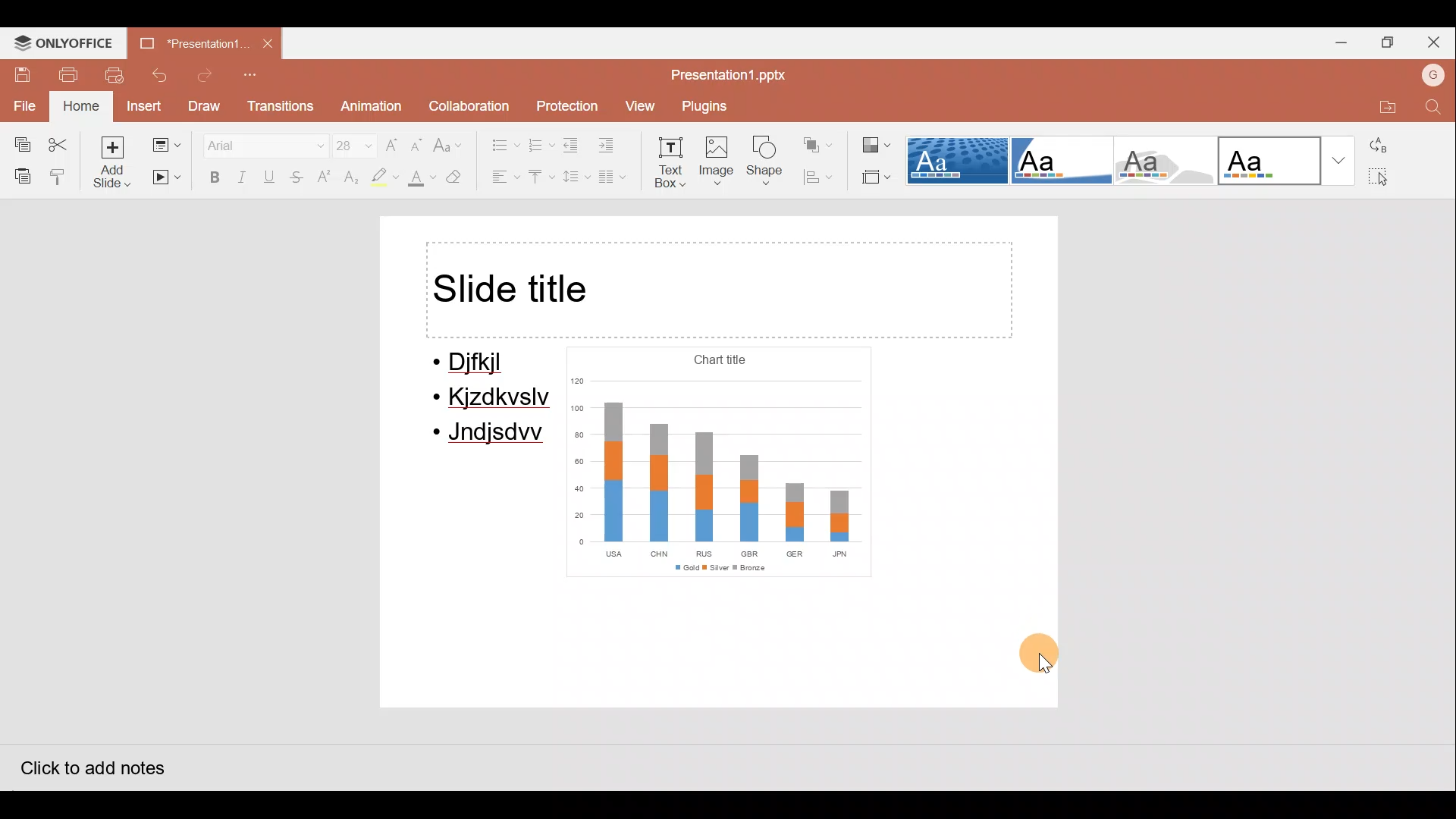 This screenshot has height=819, width=1456. Describe the element at coordinates (490, 435) in the screenshot. I see `Jndjsdw` at that location.